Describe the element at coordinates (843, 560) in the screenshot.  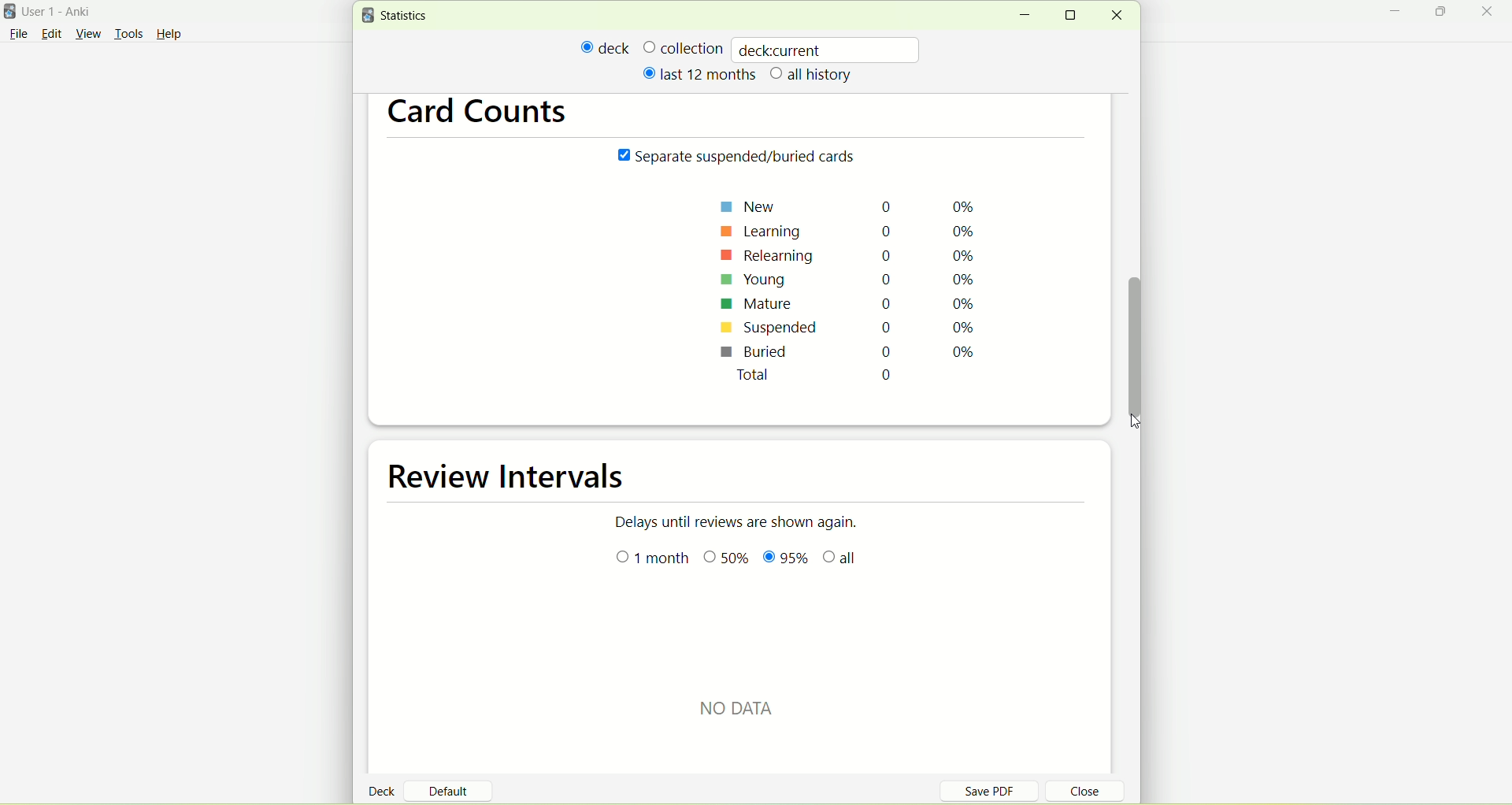
I see `all` at that location.